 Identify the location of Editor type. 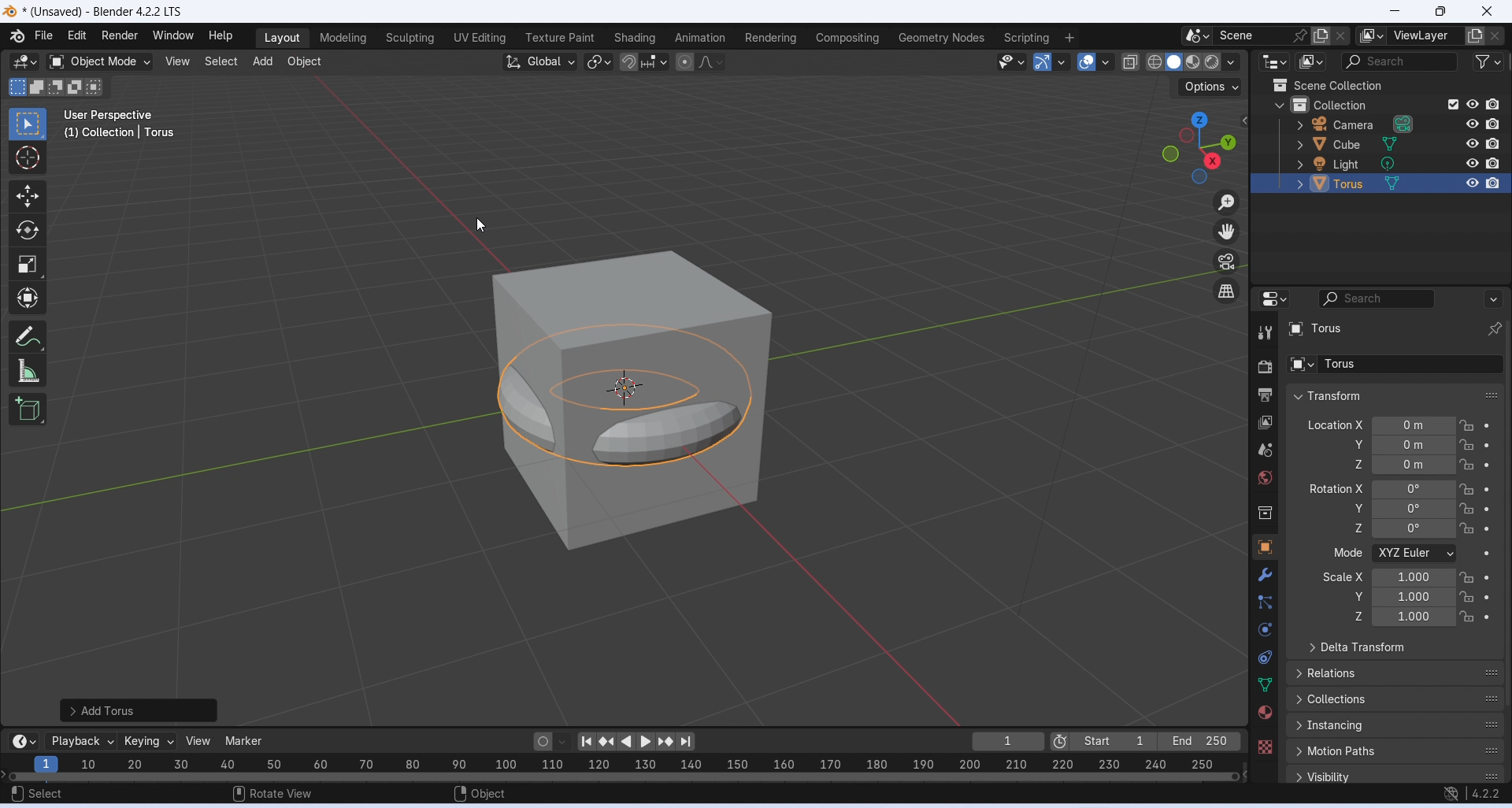
(21, 740).